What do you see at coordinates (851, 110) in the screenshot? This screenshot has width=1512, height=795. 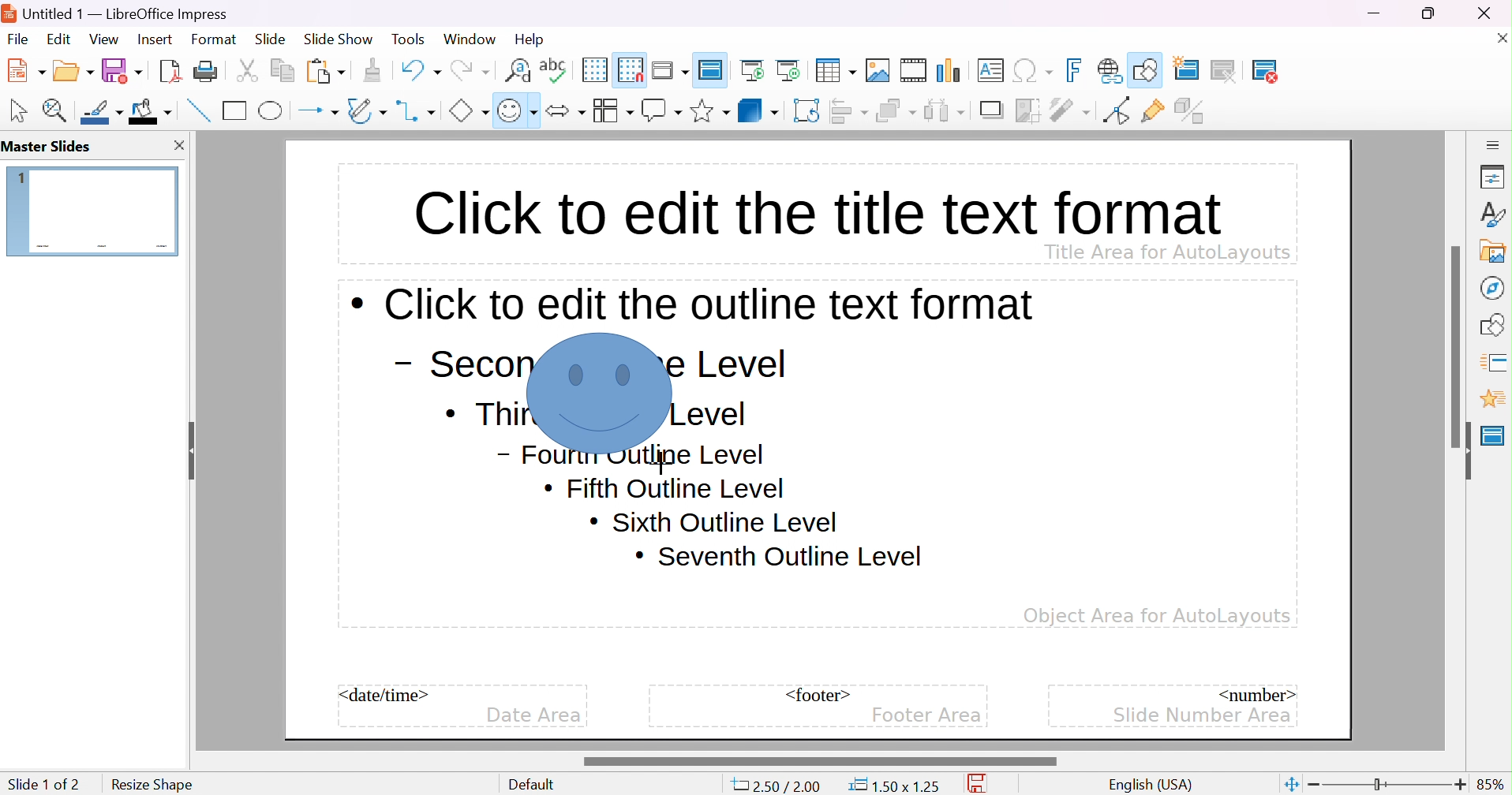 I see `align objects` at bounding box center [851, 110].